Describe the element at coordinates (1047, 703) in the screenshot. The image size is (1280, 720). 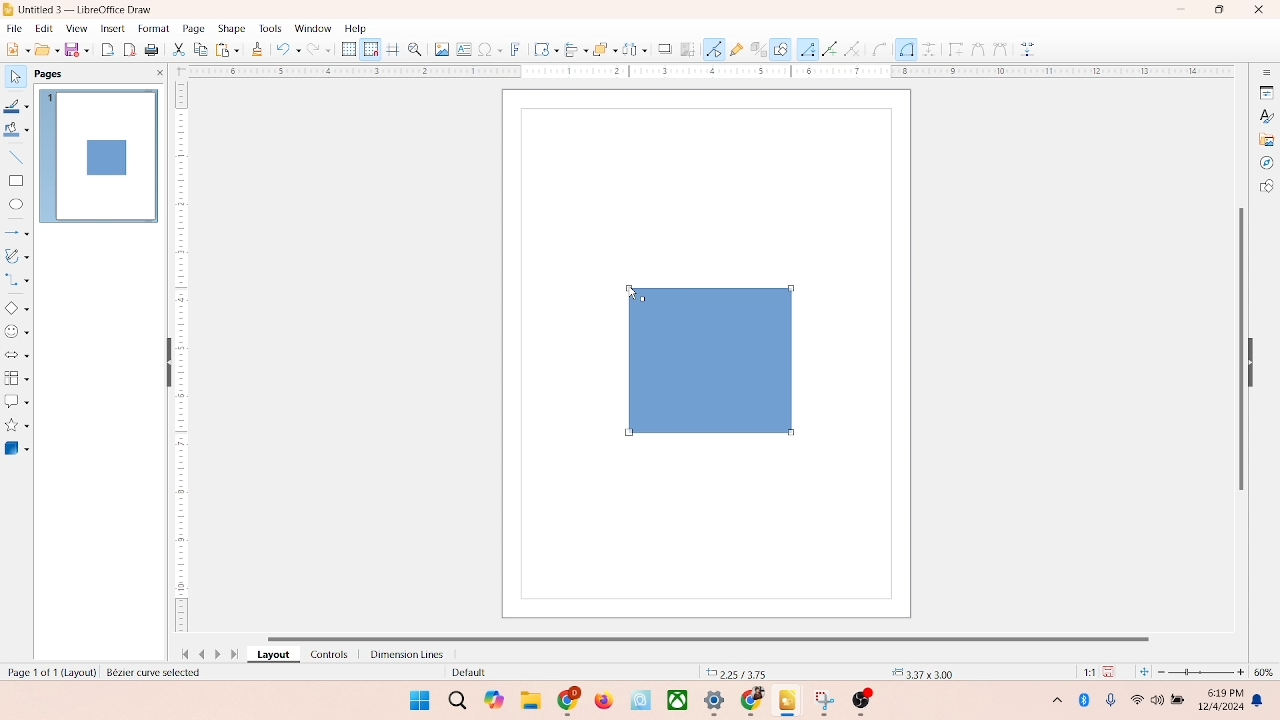
I see `hidden icons` at that location.